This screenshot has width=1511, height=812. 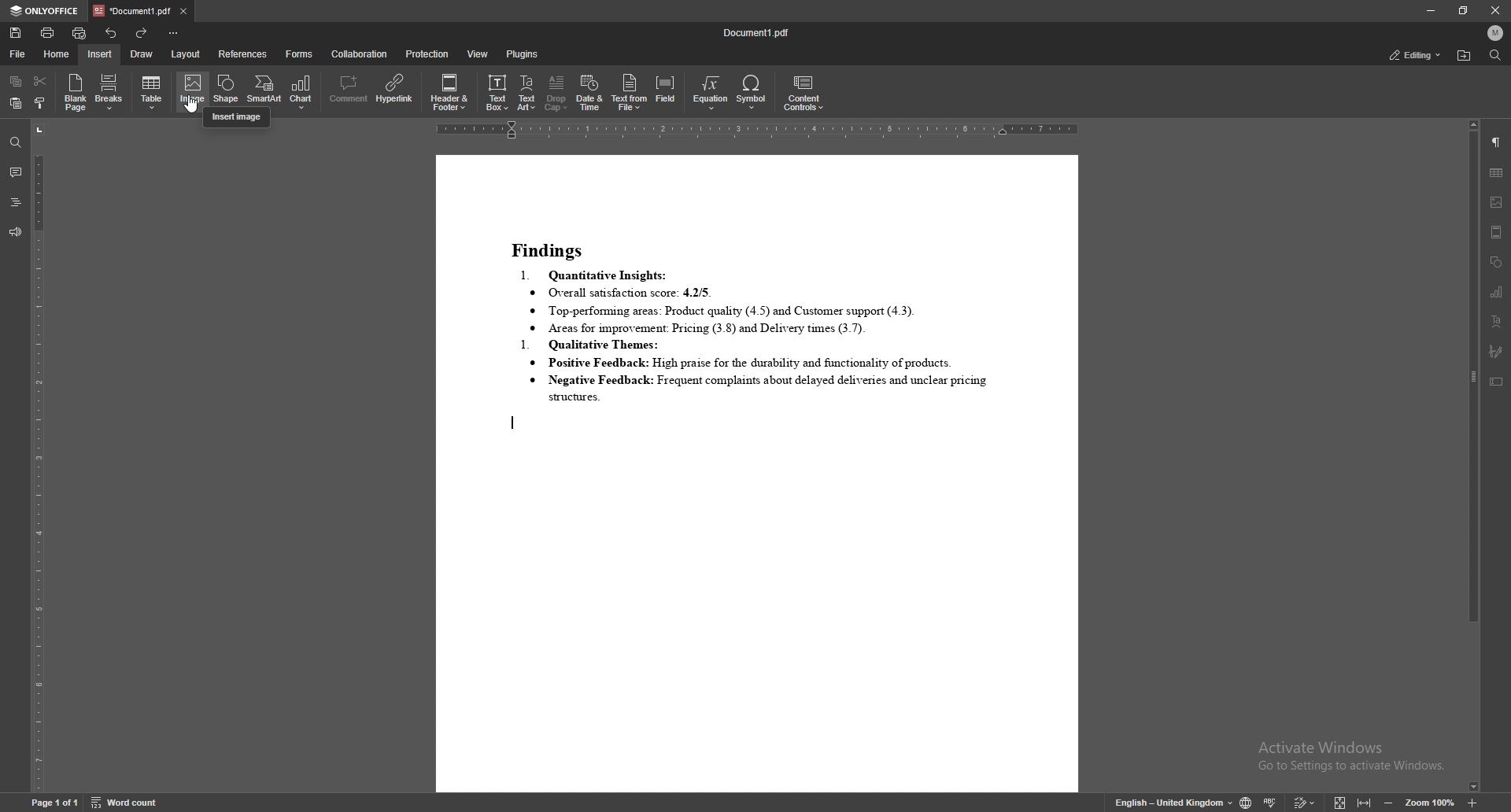 I want to click on tab, so click(x=131, y=10).